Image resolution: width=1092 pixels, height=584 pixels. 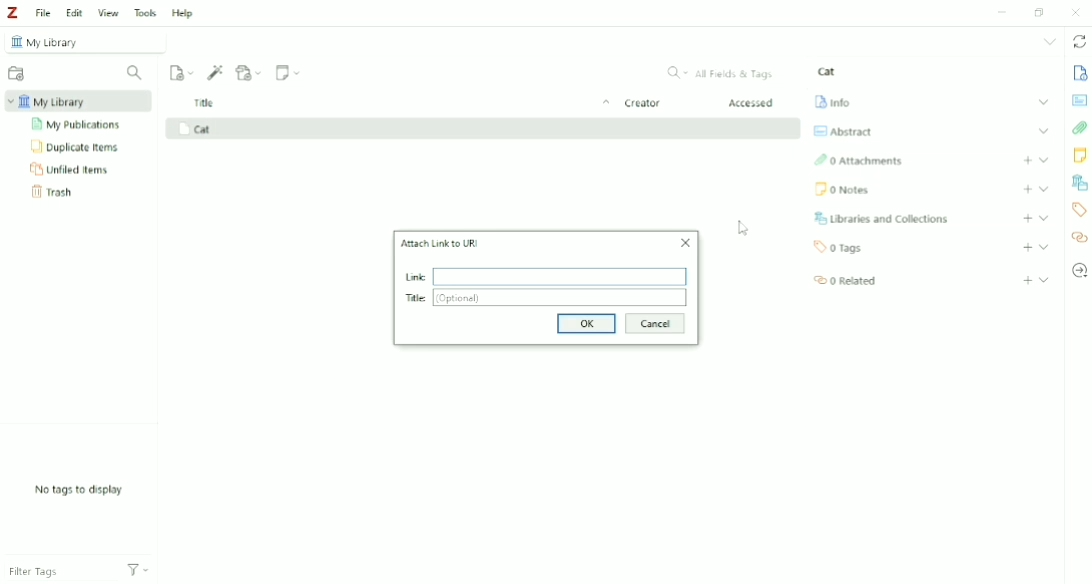 I want to click on Sync, so click(x=1080, y=43).